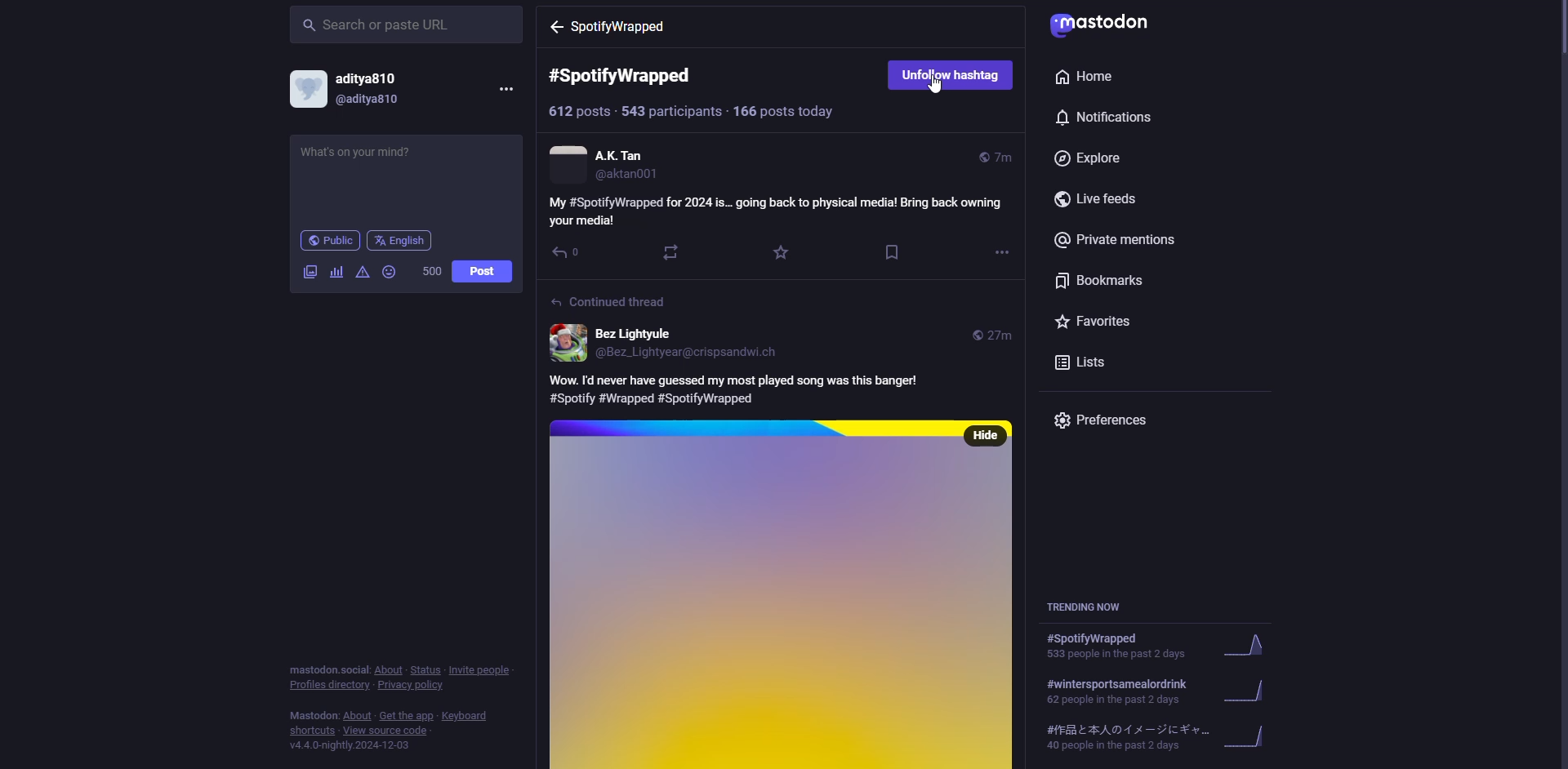 The width and height of the screenshot is (1568, 769). Describe the element at coordinates (763, 601) in the screenshot. I see `post` at that location.